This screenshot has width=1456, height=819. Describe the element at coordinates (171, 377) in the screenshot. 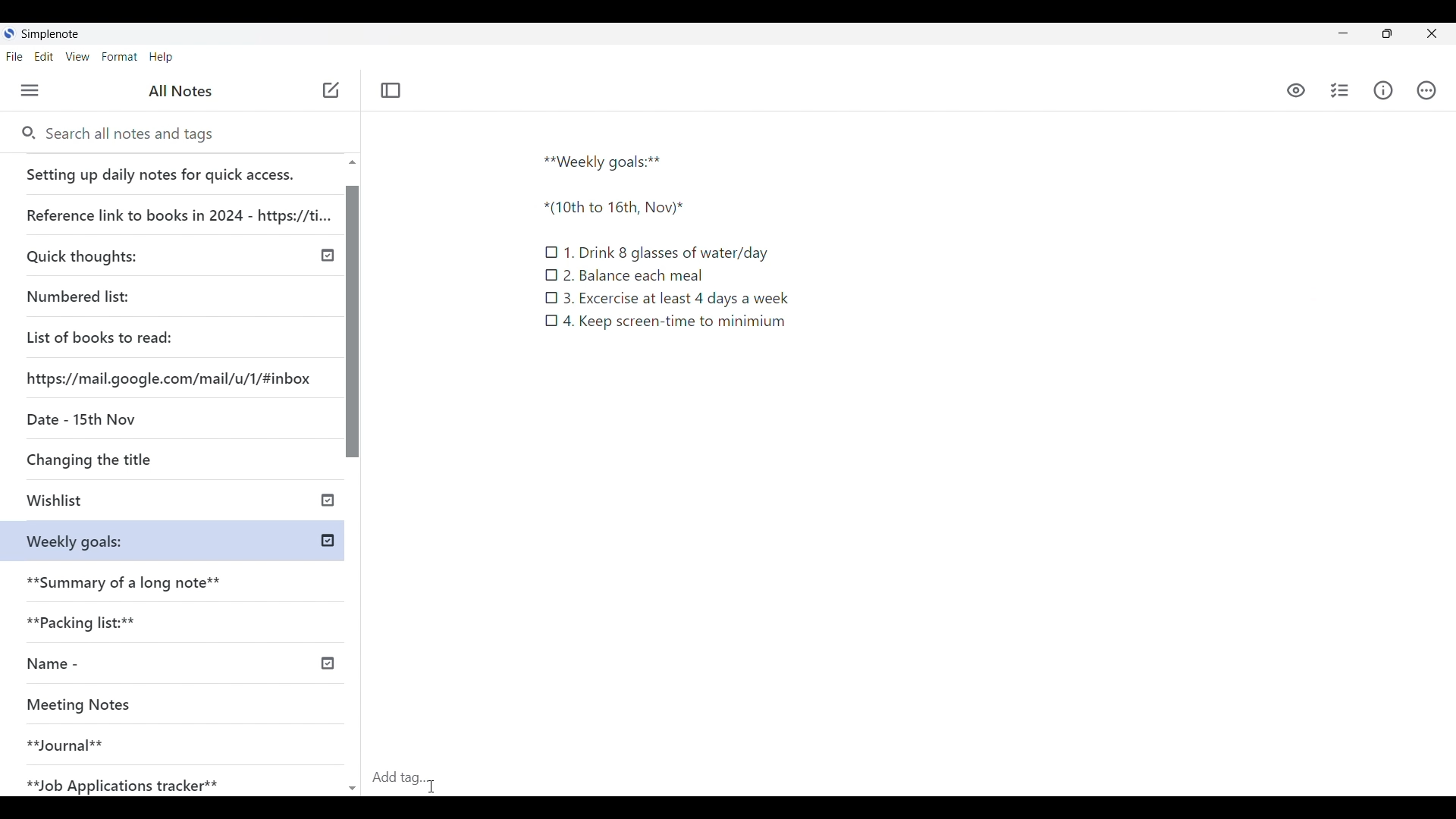

I see `Website` at that location.